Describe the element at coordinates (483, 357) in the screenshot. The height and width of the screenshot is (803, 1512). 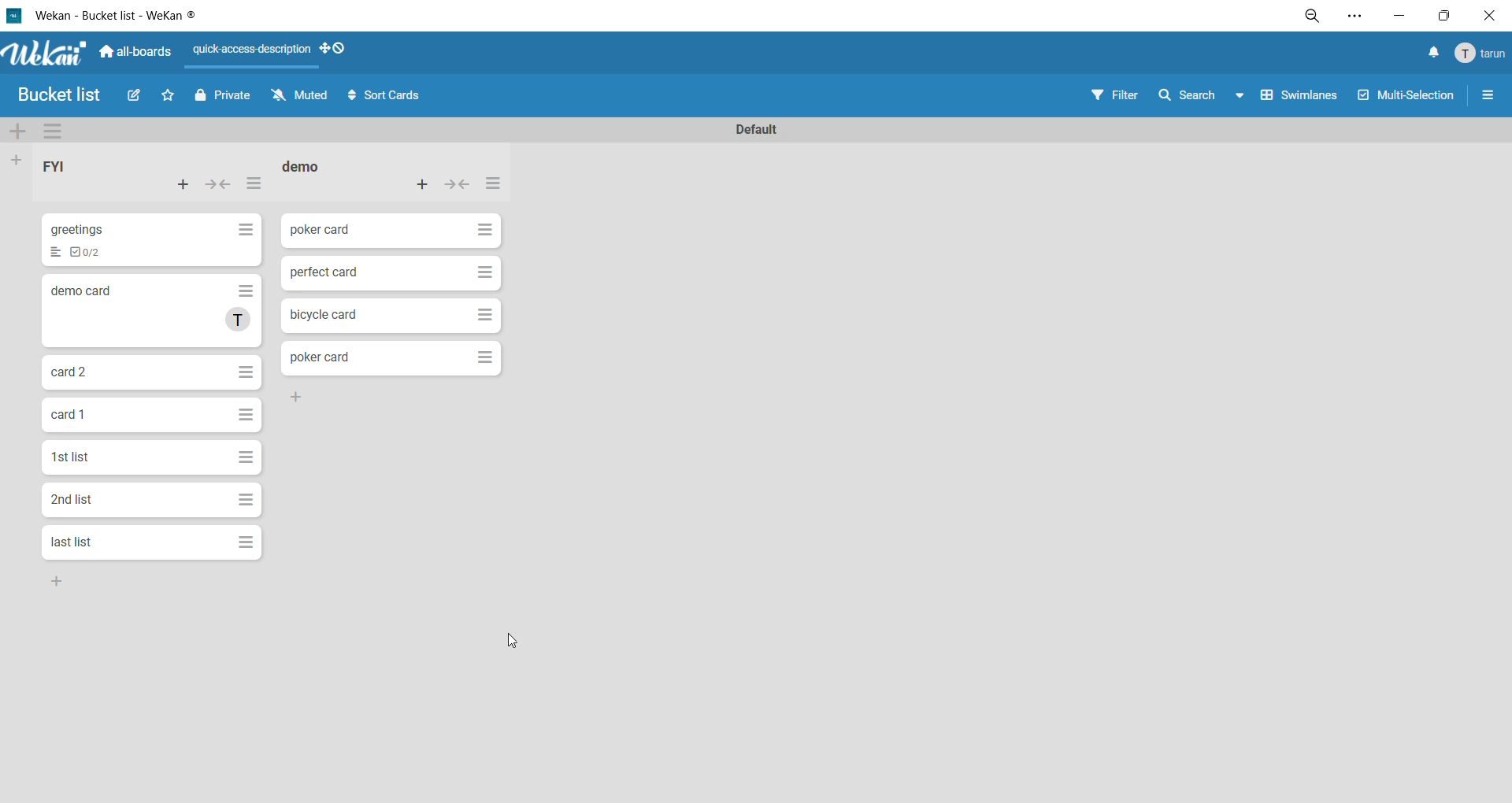
I see `Hamburger` at that location.